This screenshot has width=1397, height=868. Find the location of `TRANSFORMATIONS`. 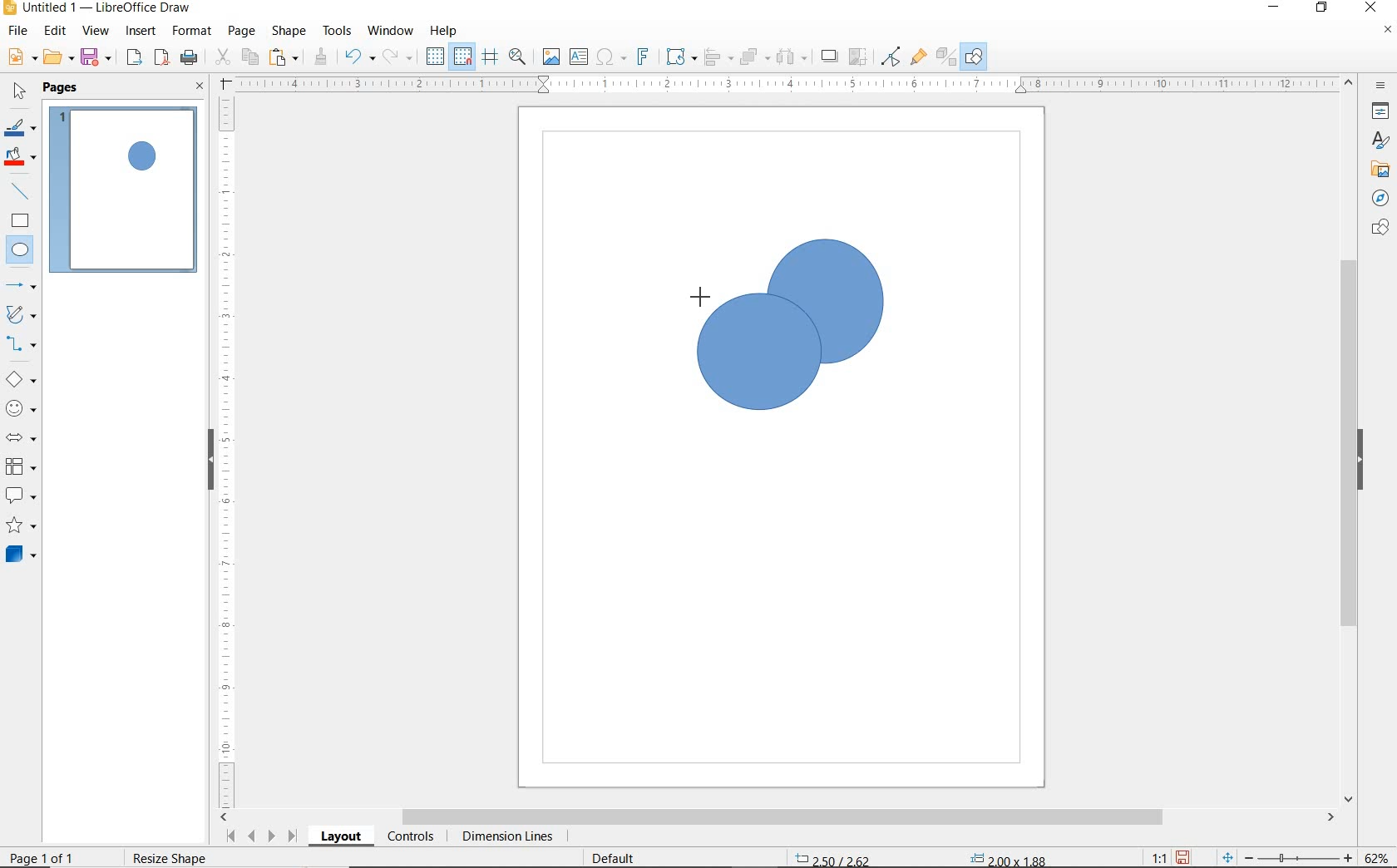

TRANSFORMATIONS is located at coordinates (679, 57).